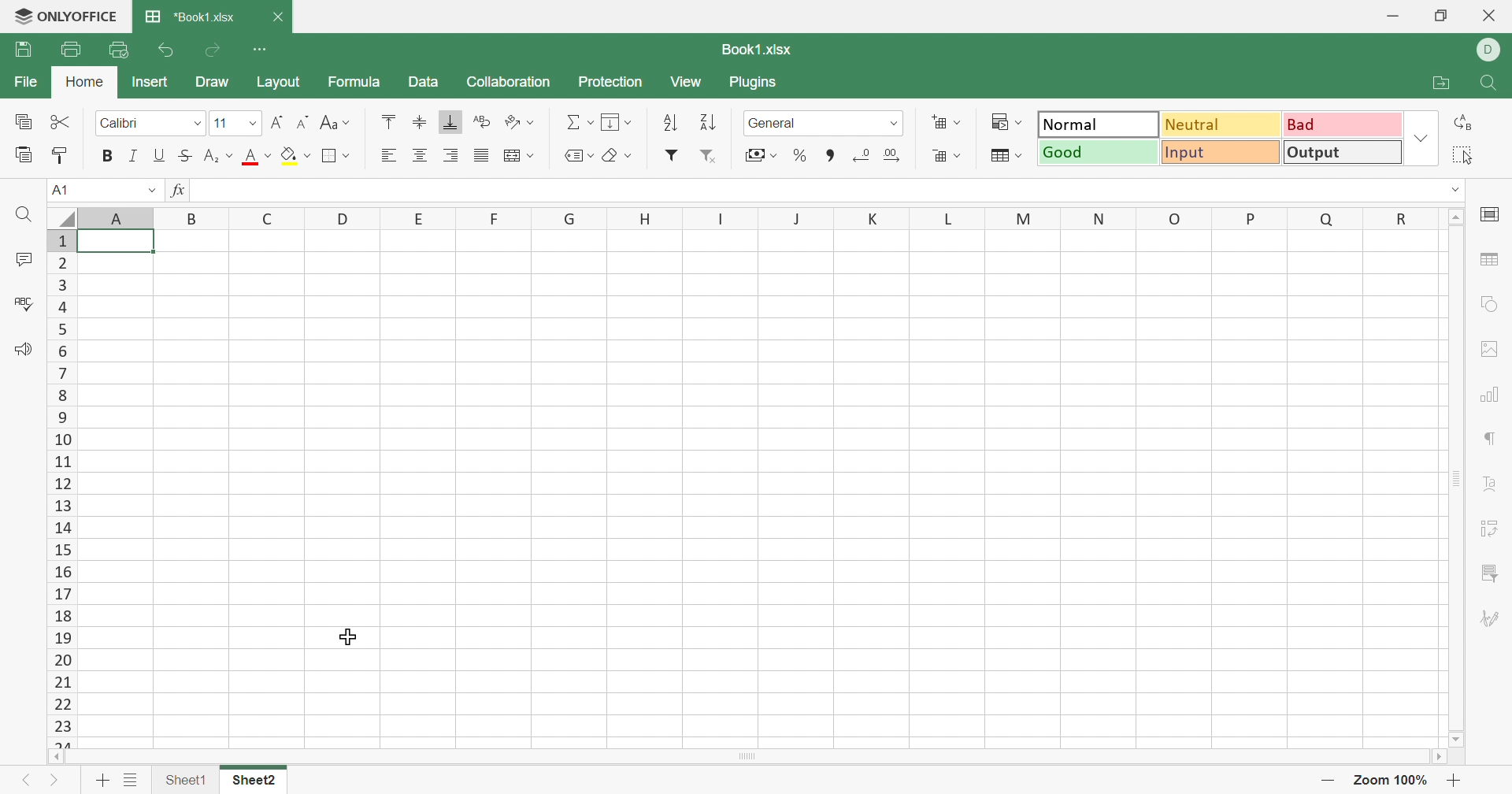  What do you see at coordinates (165, 51) in the screenshot?
I see `Undo` at bounding box center [165, 51].